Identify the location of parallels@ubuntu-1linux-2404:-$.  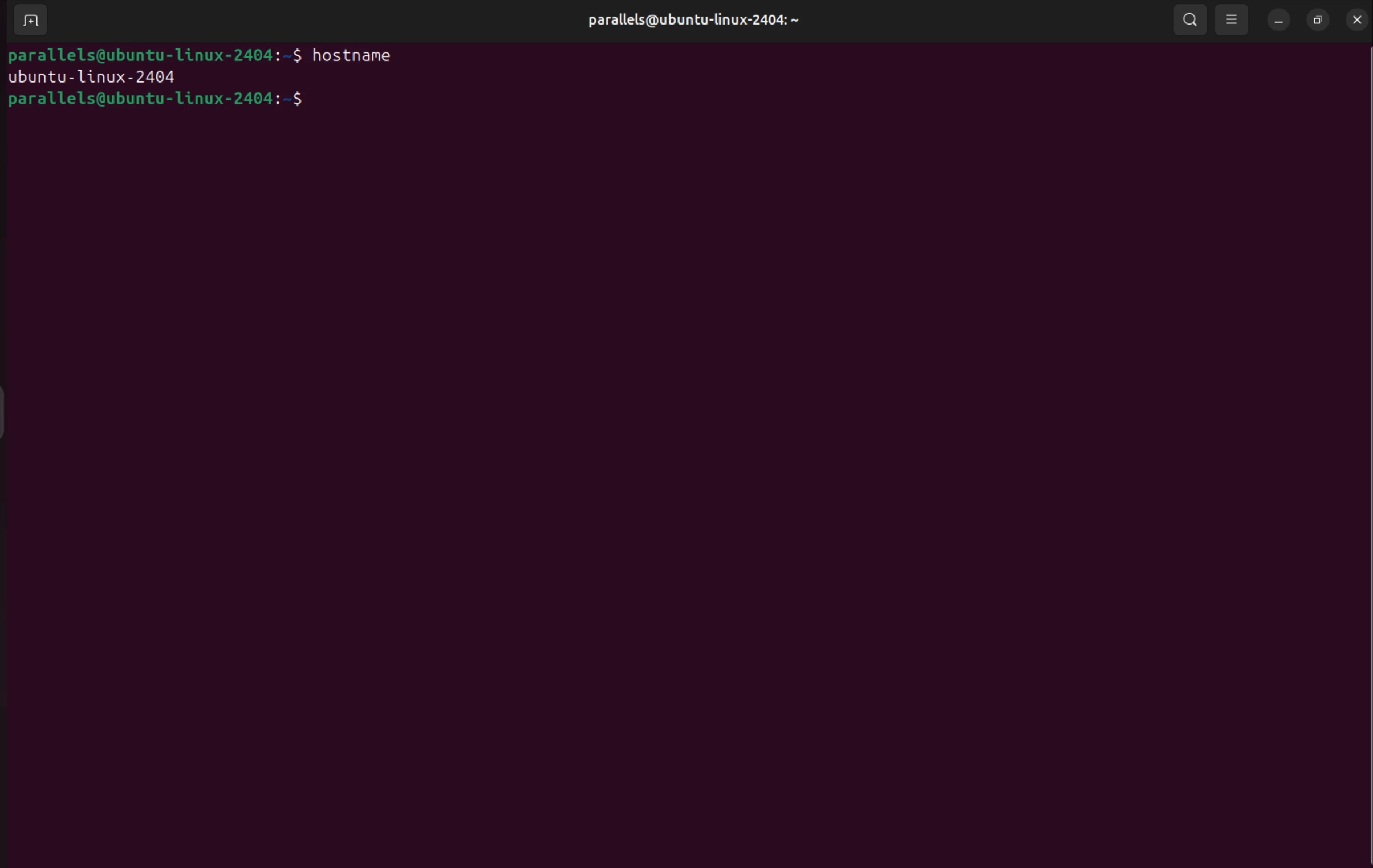
(153, 55).